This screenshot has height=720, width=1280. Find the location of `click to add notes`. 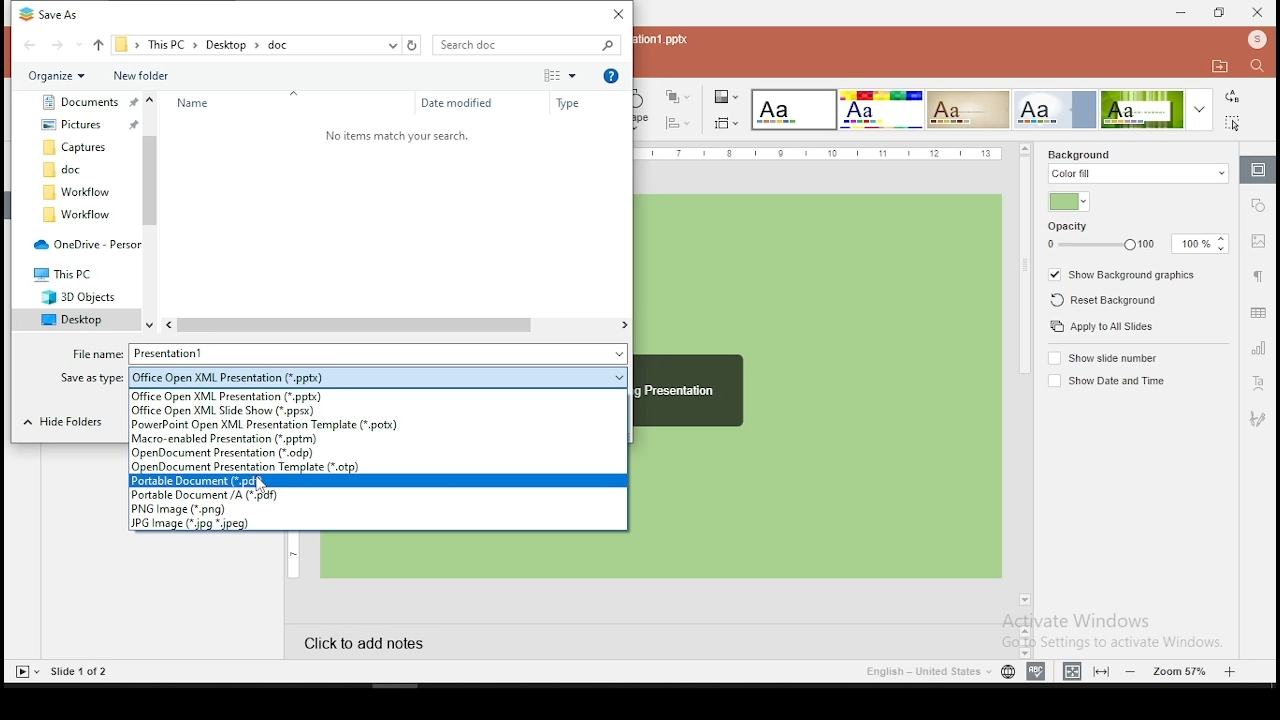

click to add notes is located at coordinates (435, 645).